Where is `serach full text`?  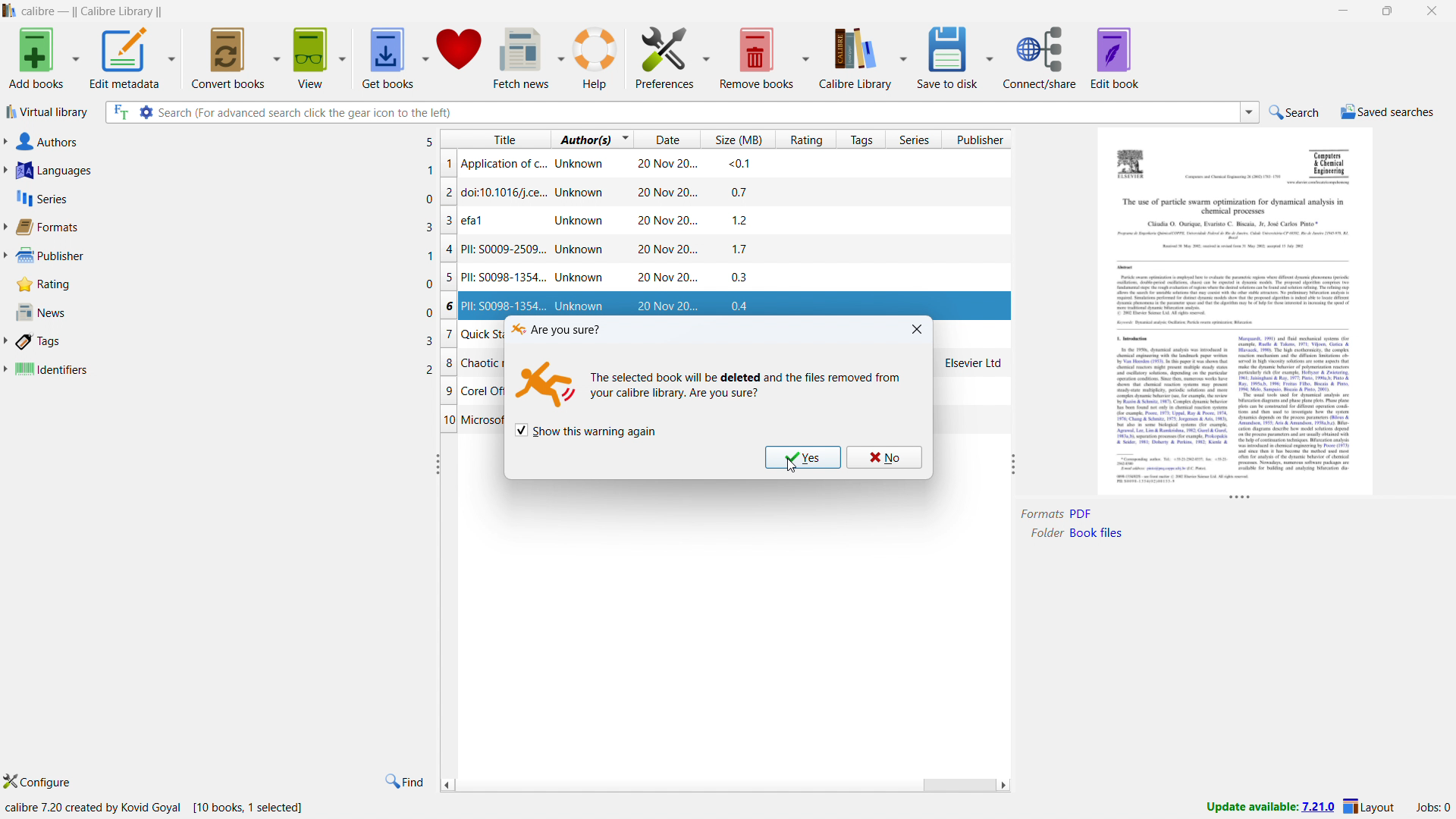
serach full text is located at coordinates (118, 113).